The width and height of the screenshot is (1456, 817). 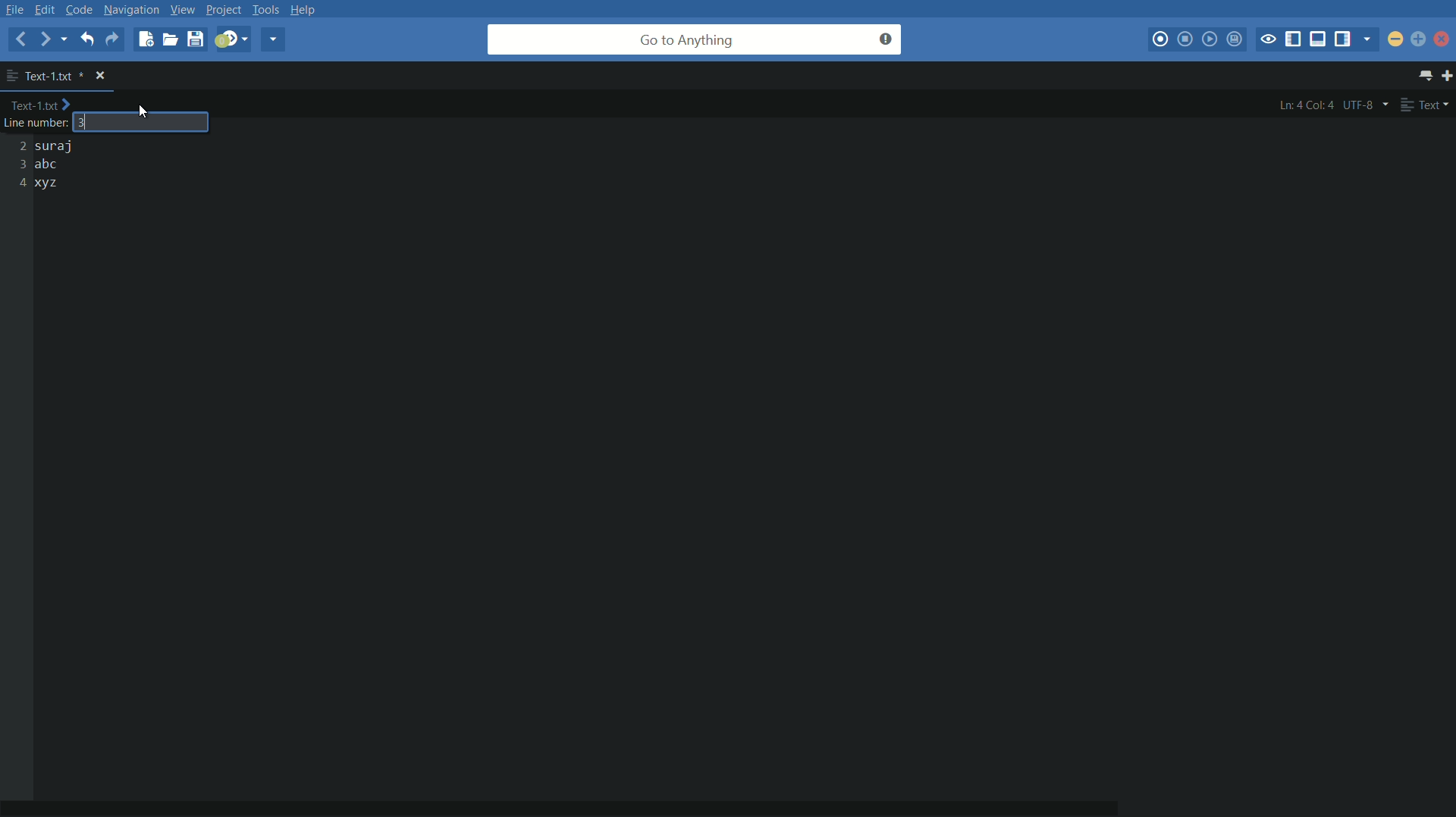 What do you see at coordinates (1443, 42) in the screenshot?
I see `close` at bounding box center [1443, 42].